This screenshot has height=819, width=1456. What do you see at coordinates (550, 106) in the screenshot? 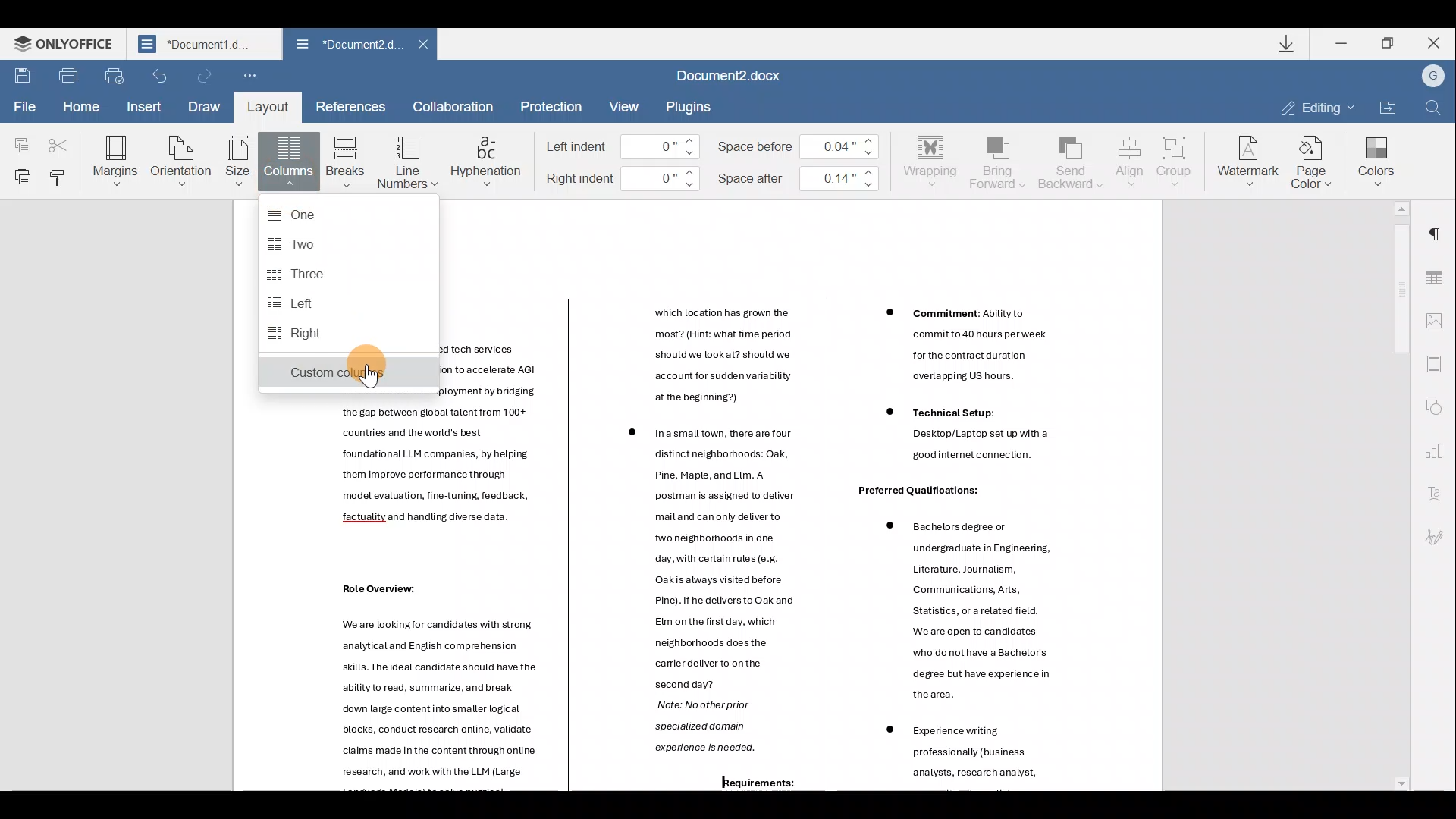
I see `Protection` at bounding box center [550, 106].